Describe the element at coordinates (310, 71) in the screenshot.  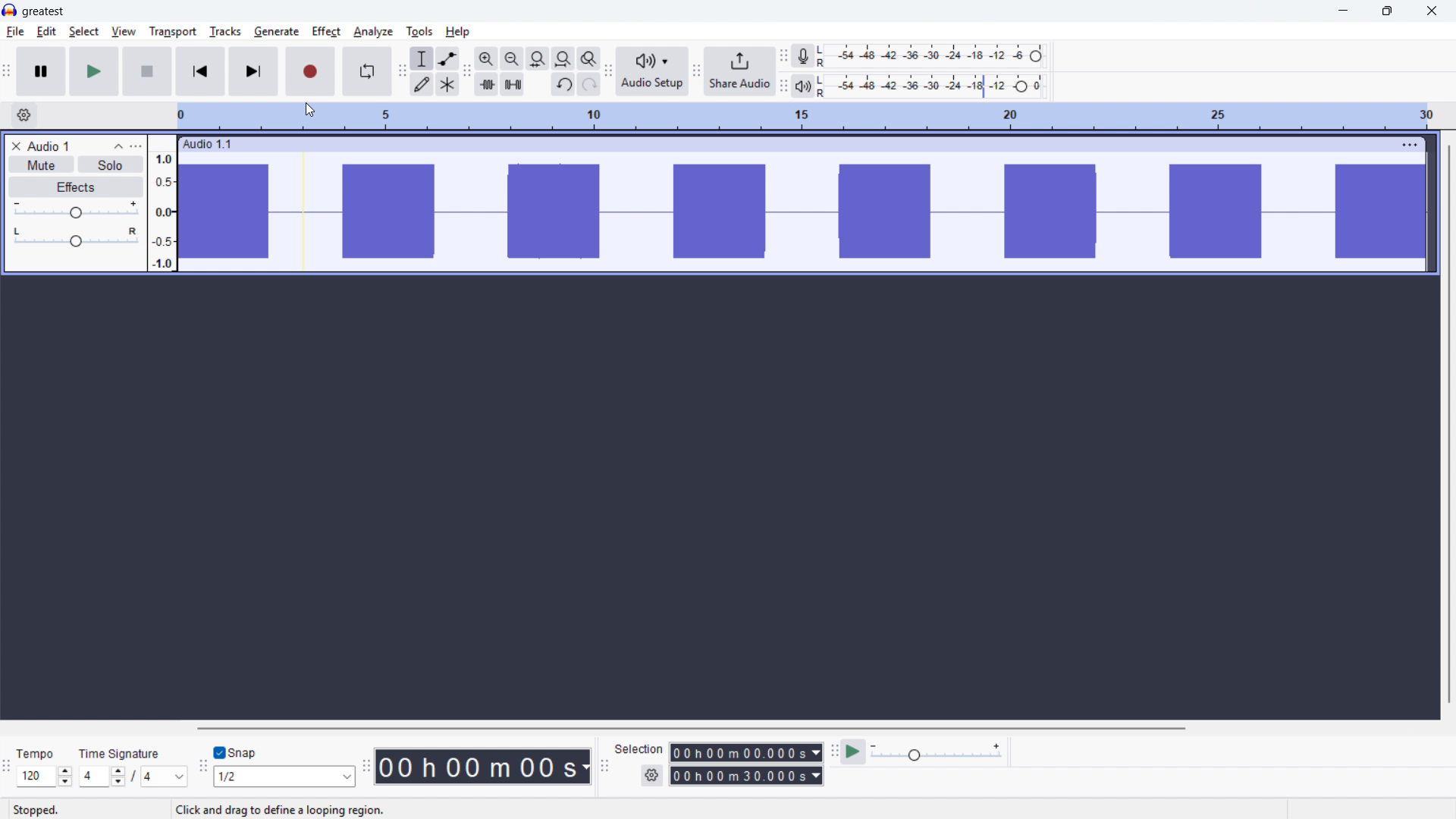
I see `record` at that location.